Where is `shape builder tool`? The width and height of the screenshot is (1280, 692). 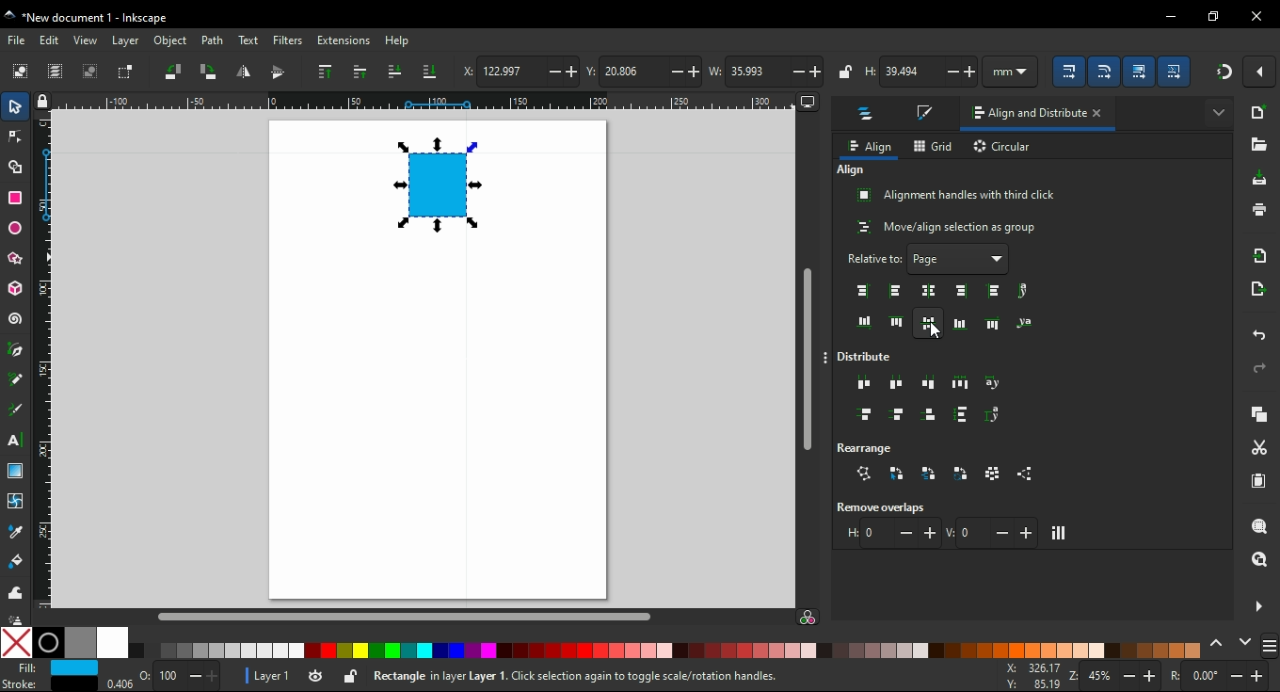 shape builder tool is located at coordinates (15, 166).